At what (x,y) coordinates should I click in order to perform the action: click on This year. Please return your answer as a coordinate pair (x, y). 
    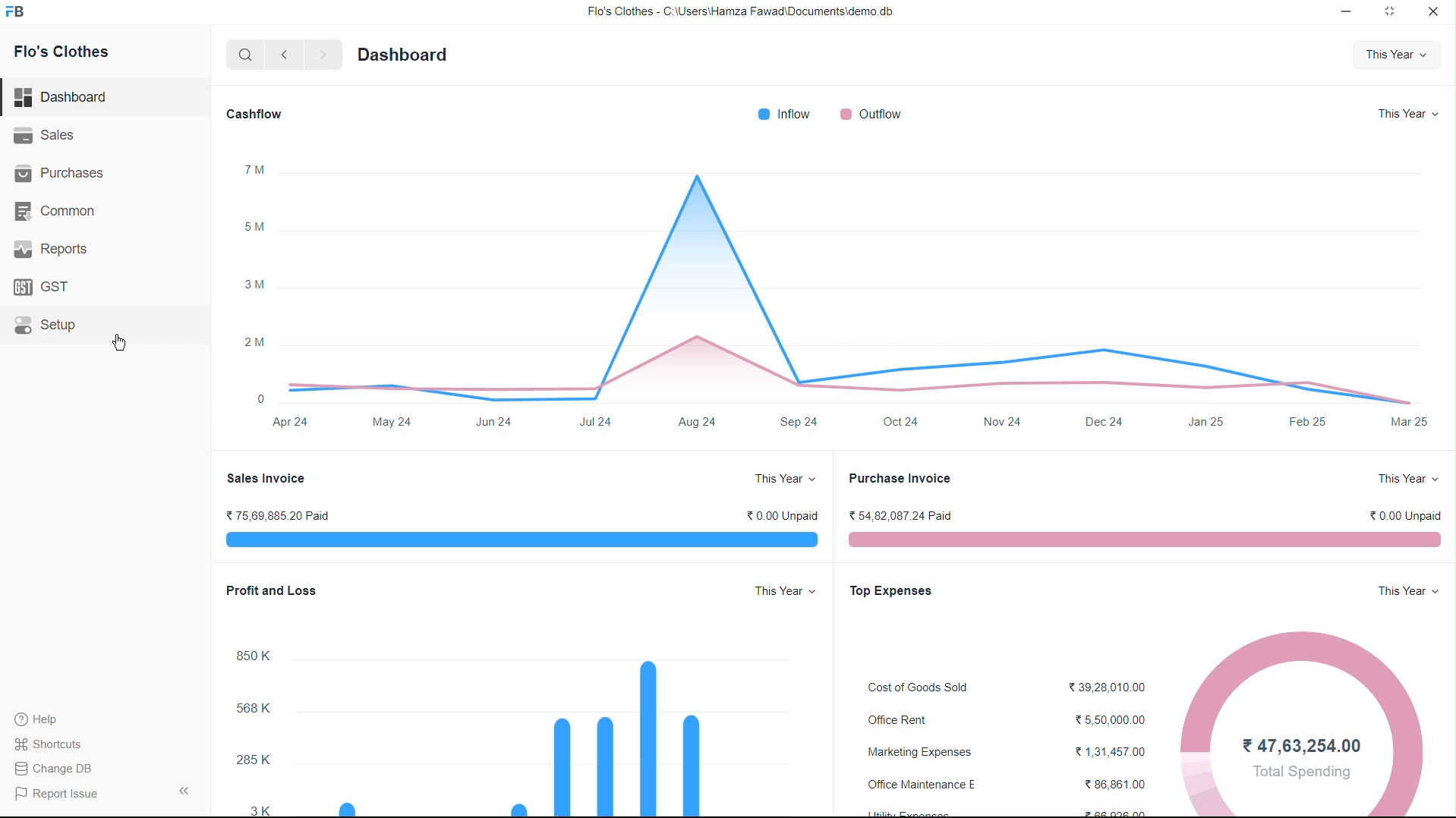
    Looking at the image, I should click on (1389, 53).